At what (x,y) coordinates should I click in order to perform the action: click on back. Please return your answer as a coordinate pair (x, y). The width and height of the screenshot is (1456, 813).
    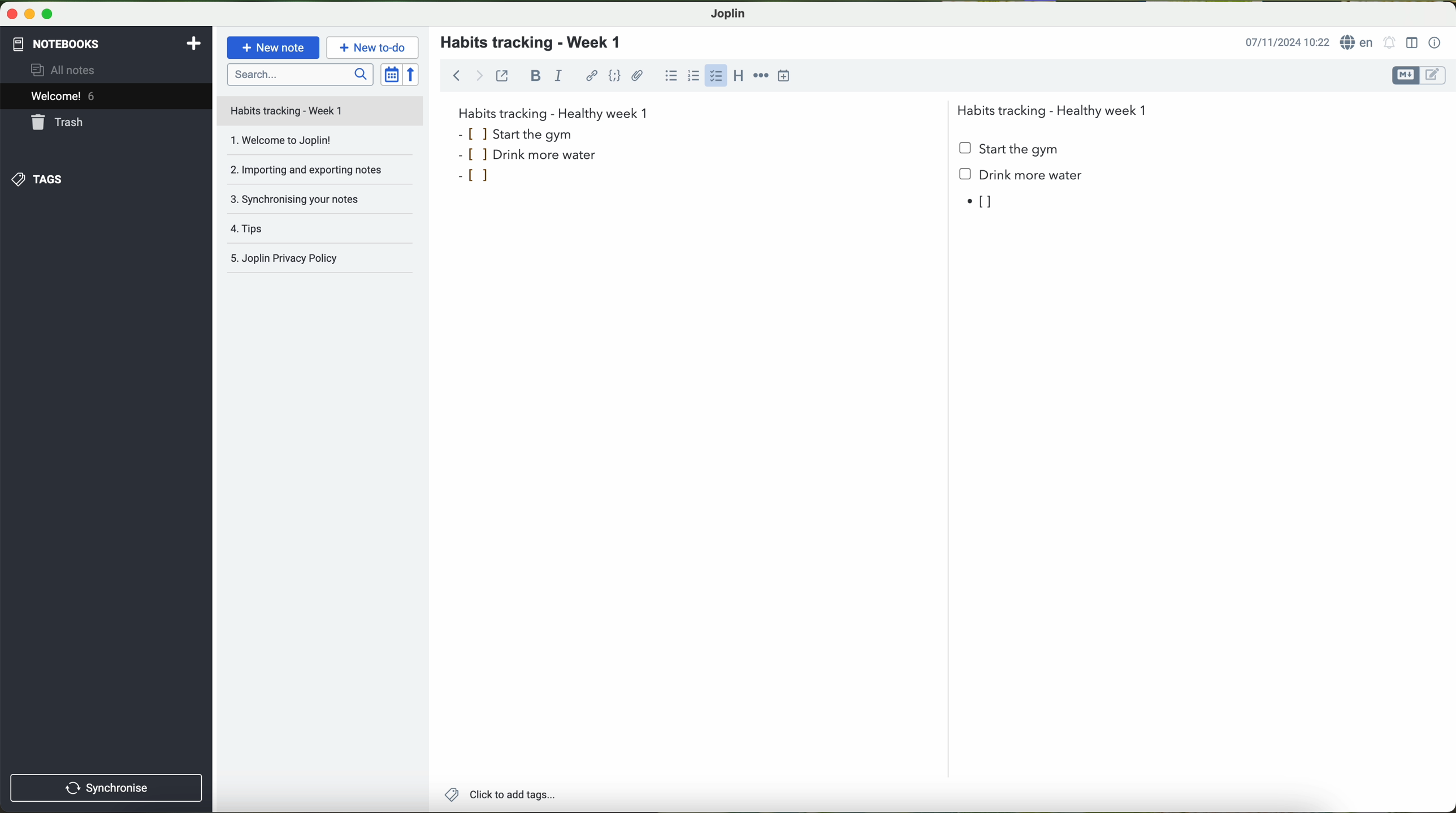
    Looking at the image, I should click on (453, 74).